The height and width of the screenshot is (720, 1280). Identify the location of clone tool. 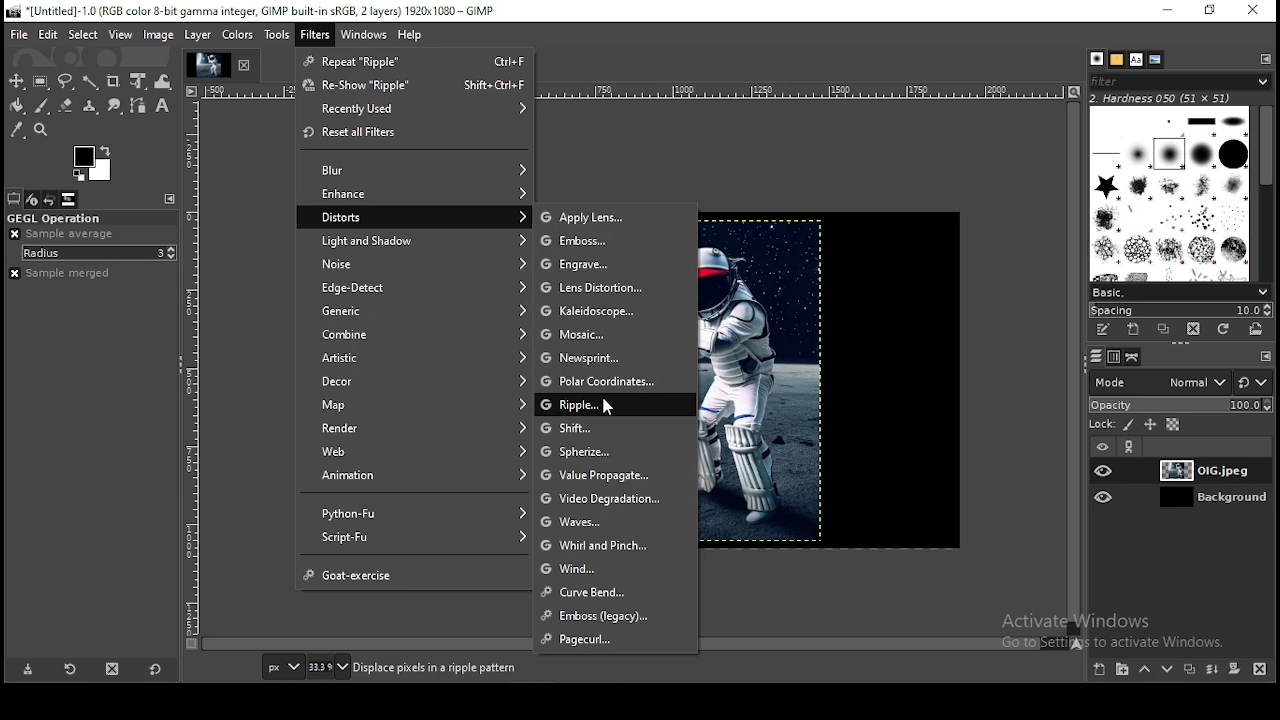
(91, 107).